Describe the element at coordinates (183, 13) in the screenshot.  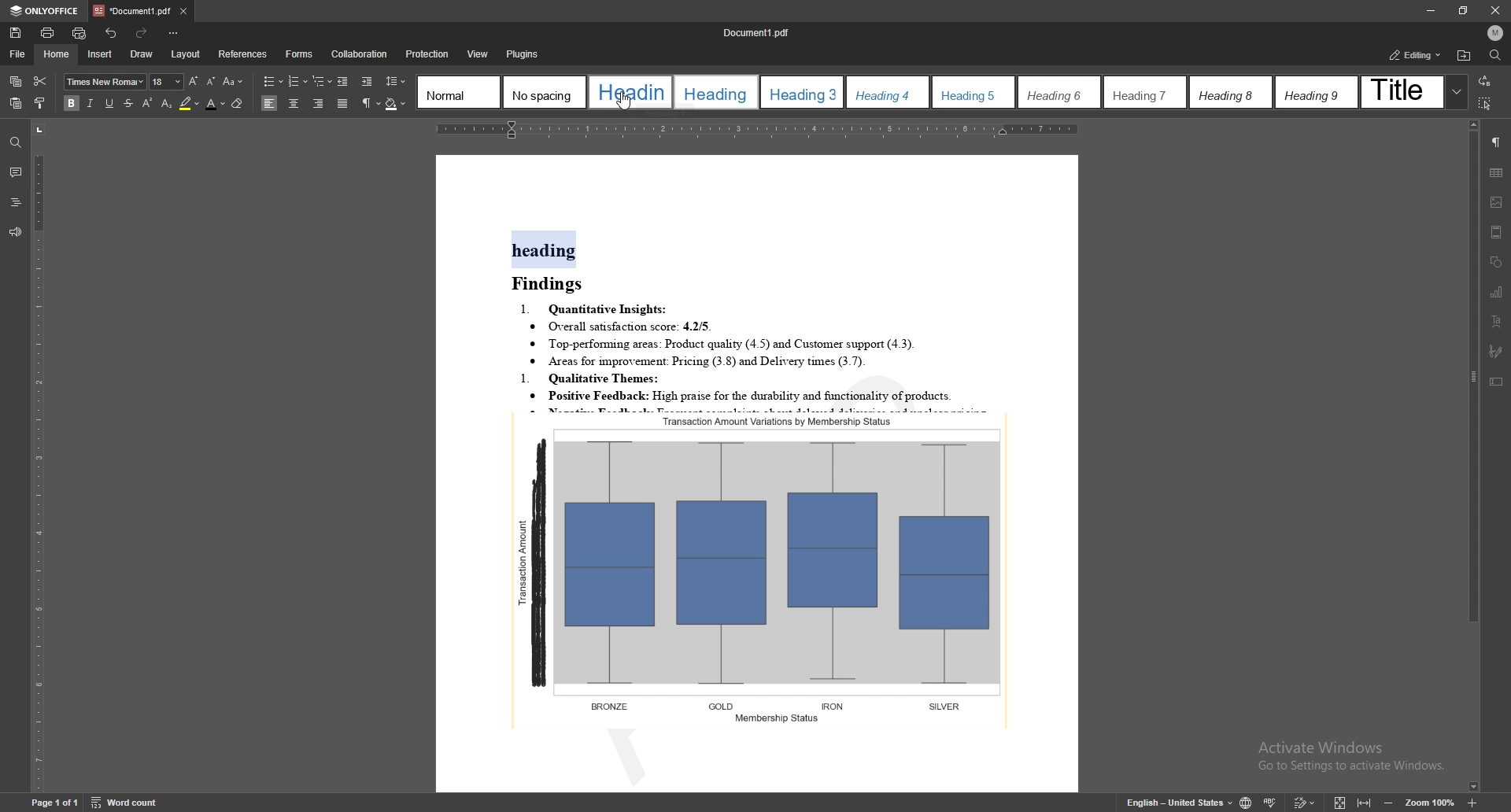
I see `close tab` at that location.